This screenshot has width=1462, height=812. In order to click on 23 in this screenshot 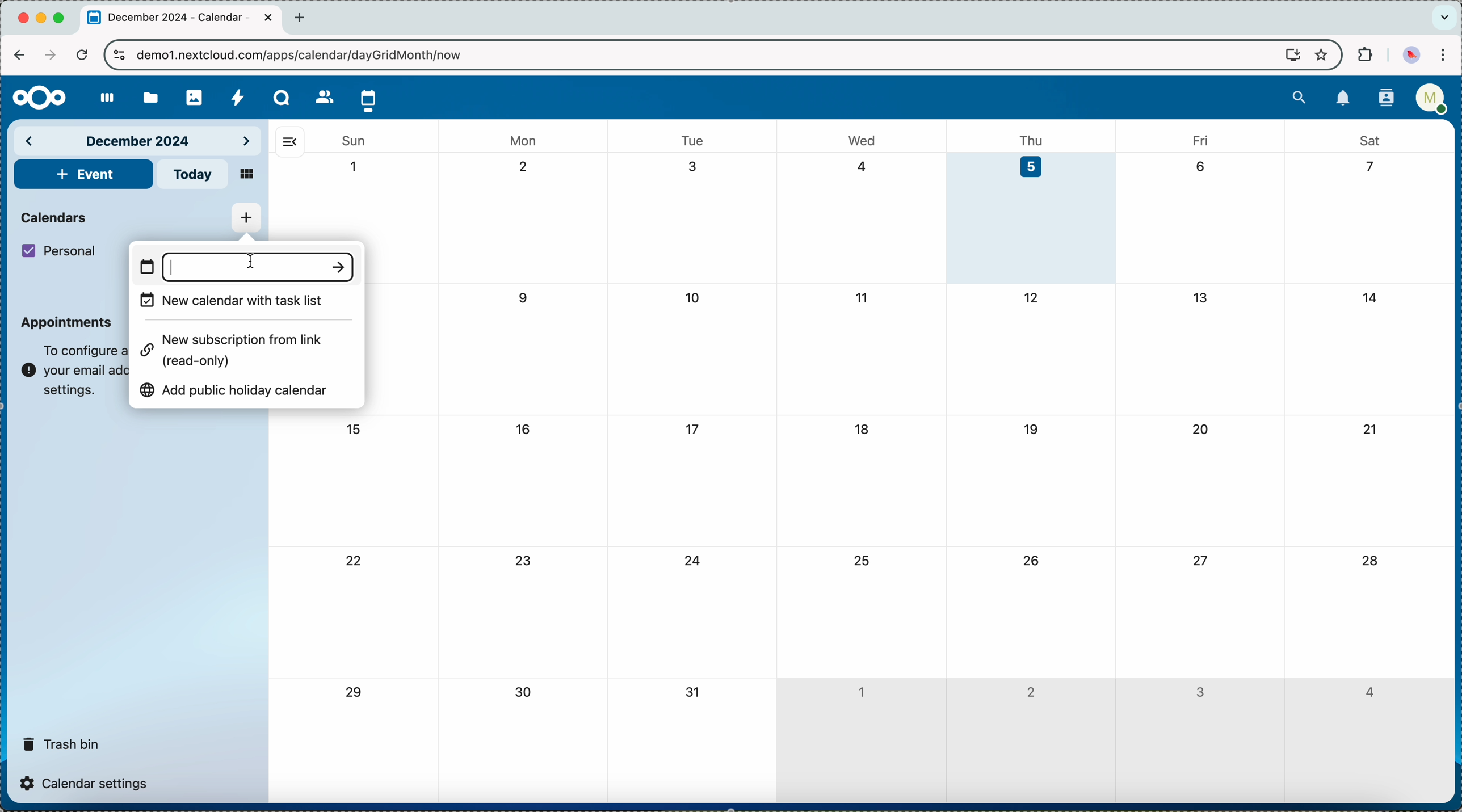, I will do `click(526, 560)`.